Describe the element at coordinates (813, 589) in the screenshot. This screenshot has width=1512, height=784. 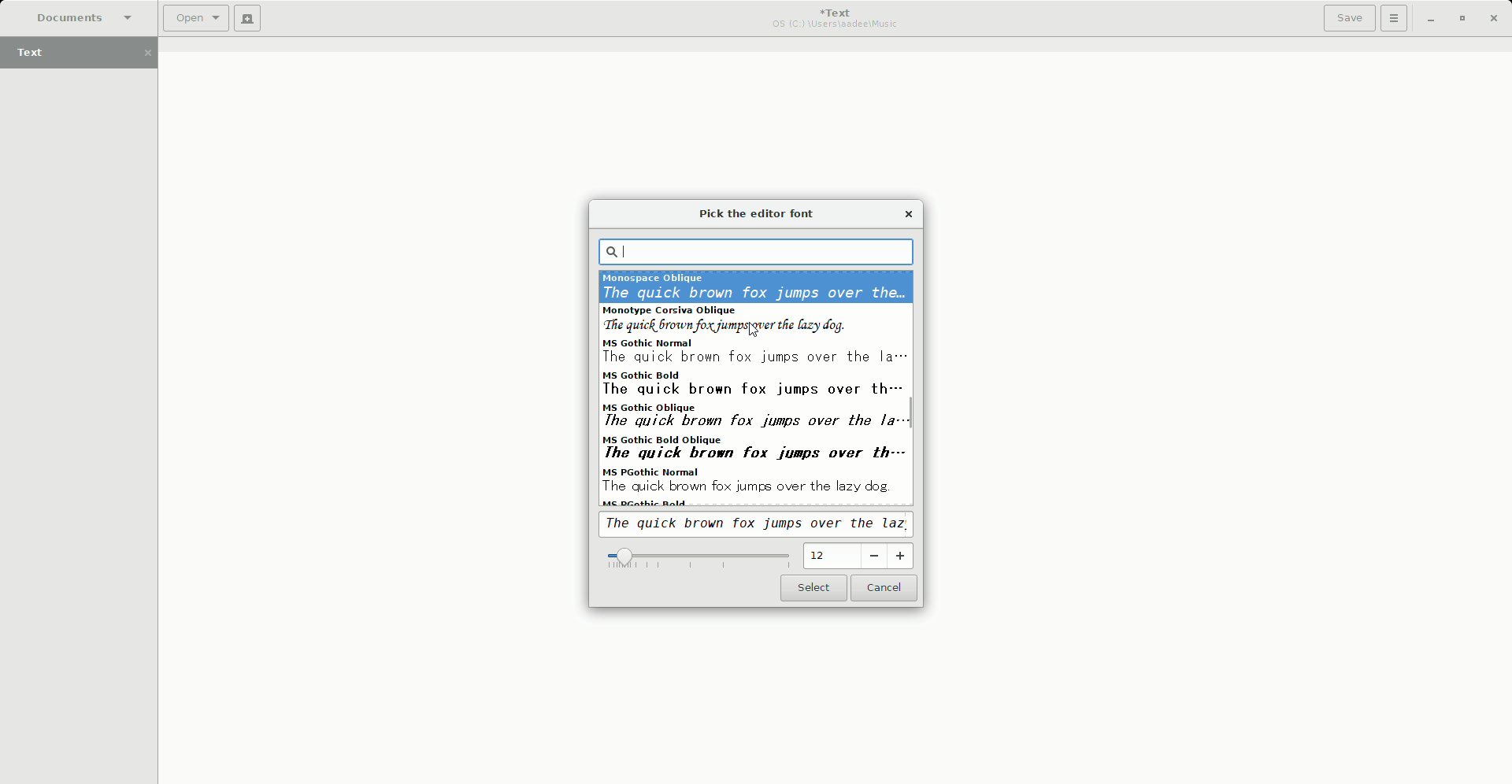
I see `Select` at that location.